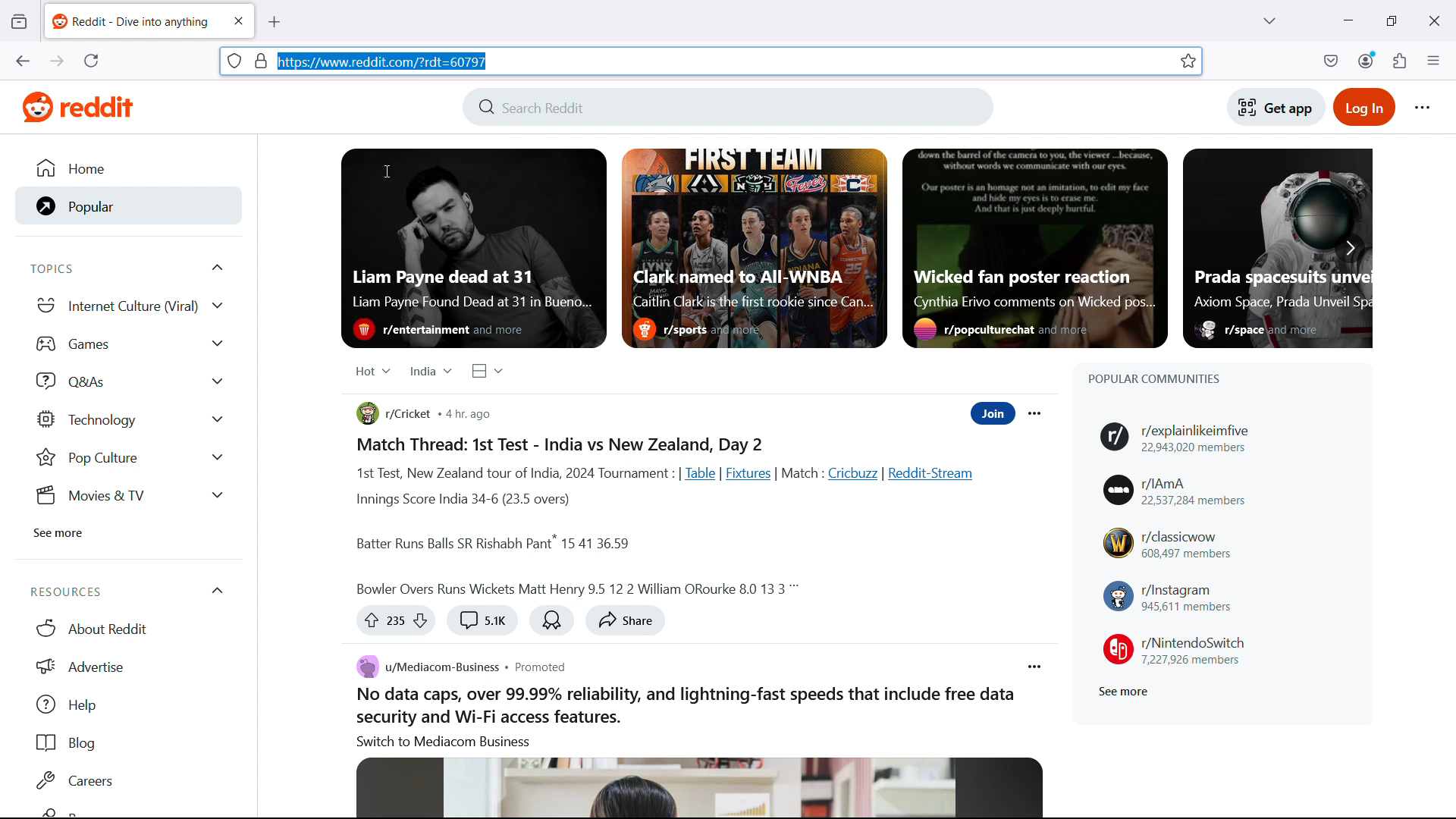 This screenshot has width=1456, height=819. What do you see at coordinates (1350, 246) in the screenshot?
I see `Scroll right to see more featured posts` at bounding box center [1350, 246].